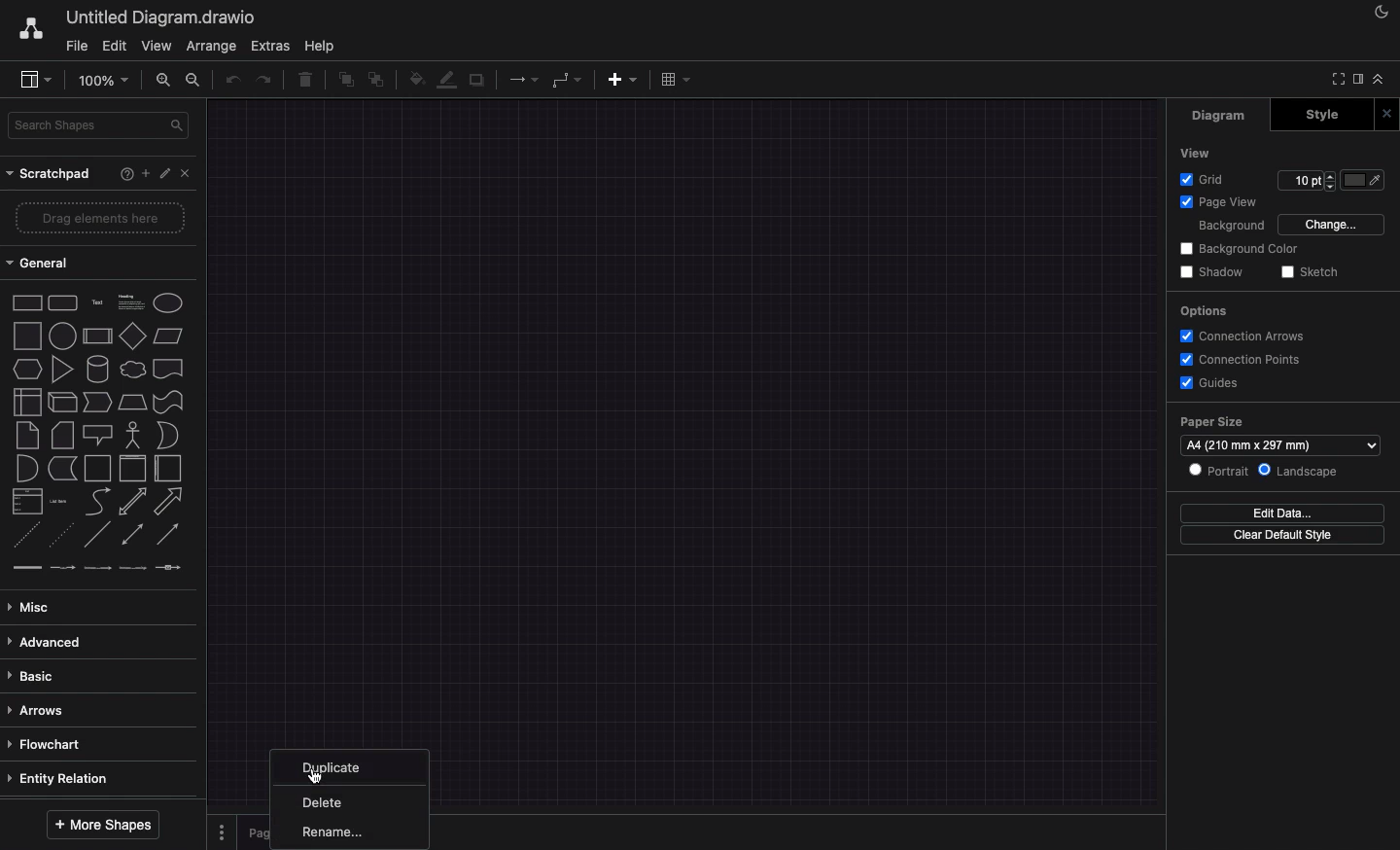  Describe the element at coordinates (1213, 422) in the screenshot. I see `paper size` at that location.